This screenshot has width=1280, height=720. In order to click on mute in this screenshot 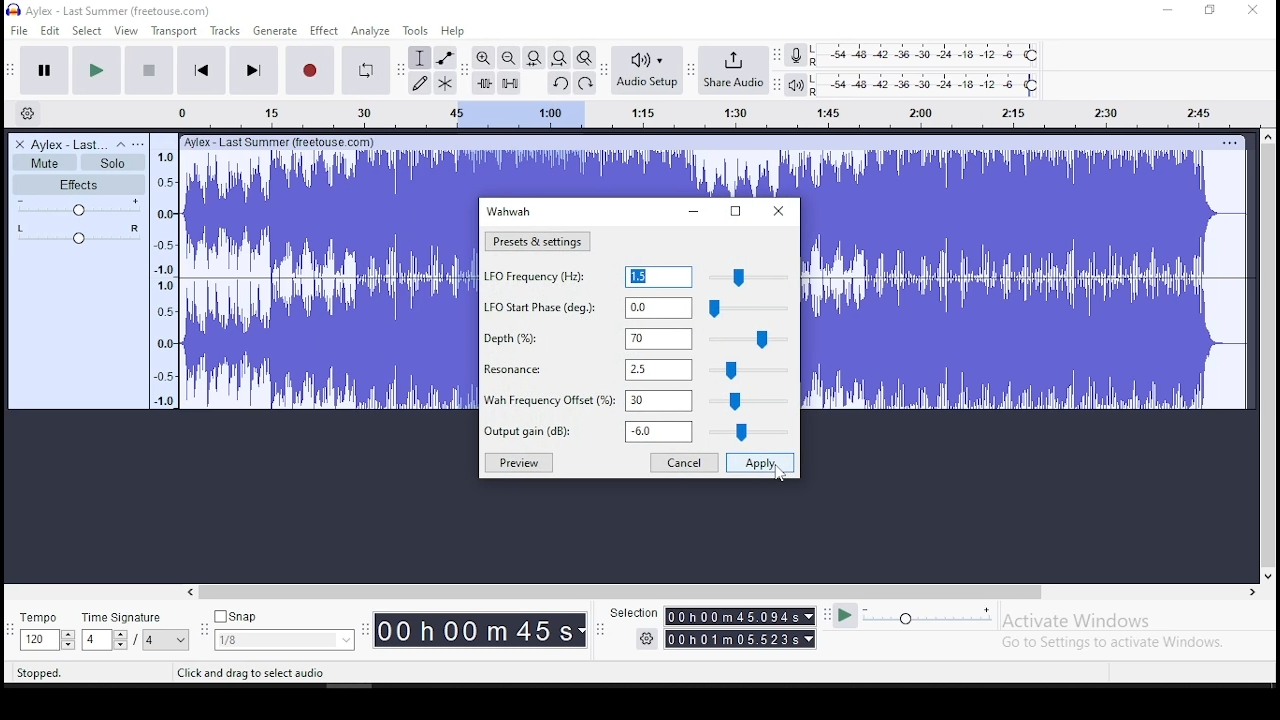, I will do `click(45, 162)`.